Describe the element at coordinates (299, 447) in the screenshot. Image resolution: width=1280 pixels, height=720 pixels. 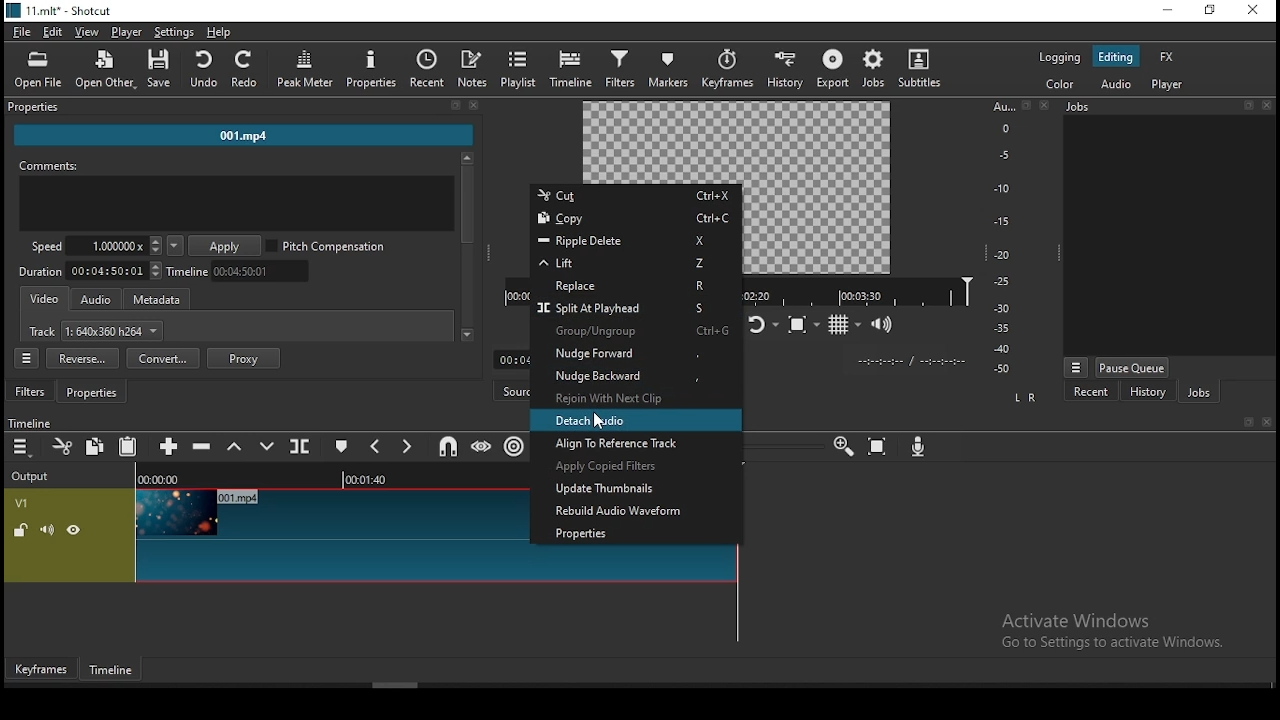
I see `split at playhead` at that location.